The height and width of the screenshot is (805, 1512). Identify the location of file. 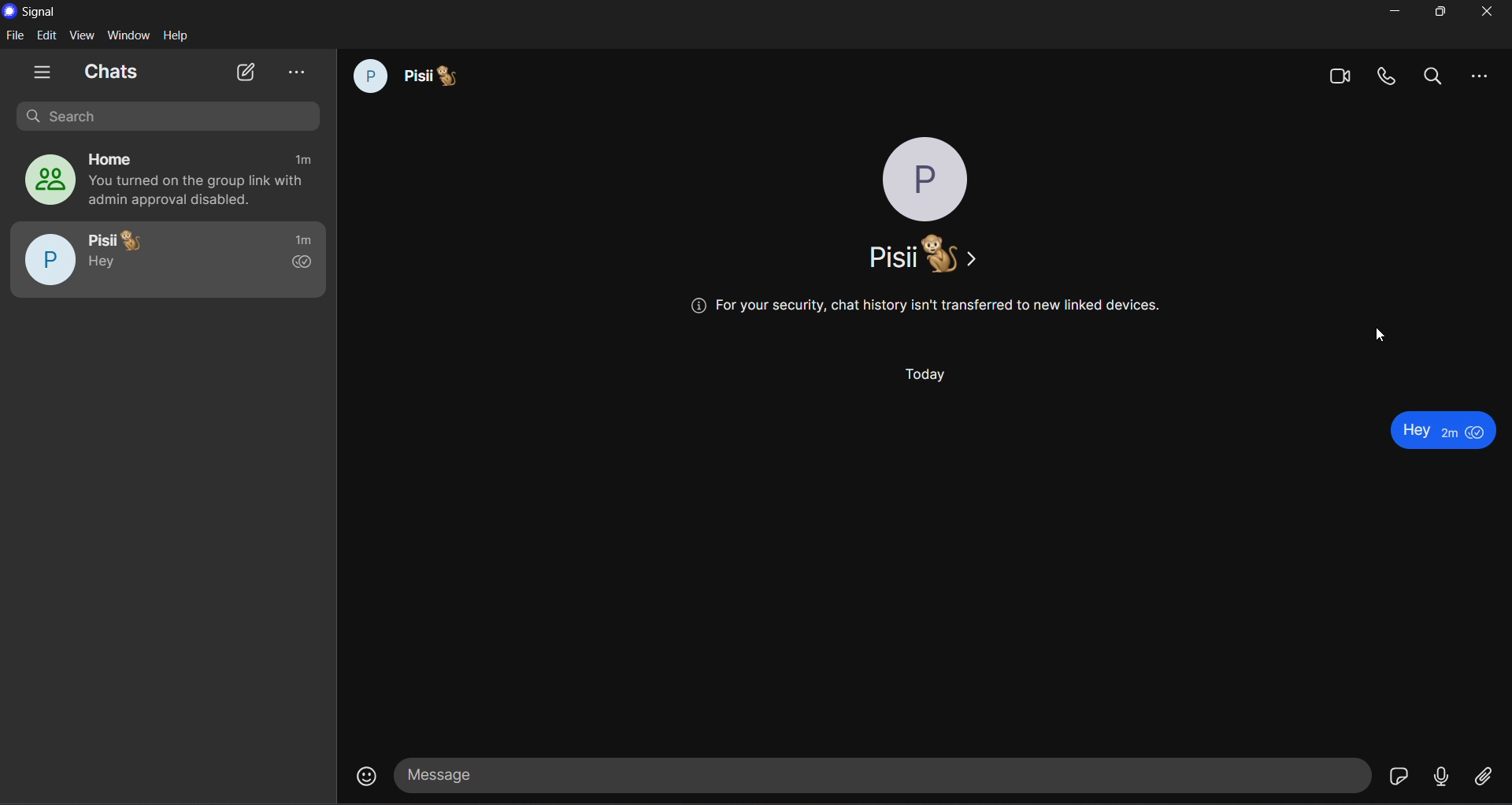
(17, 35).